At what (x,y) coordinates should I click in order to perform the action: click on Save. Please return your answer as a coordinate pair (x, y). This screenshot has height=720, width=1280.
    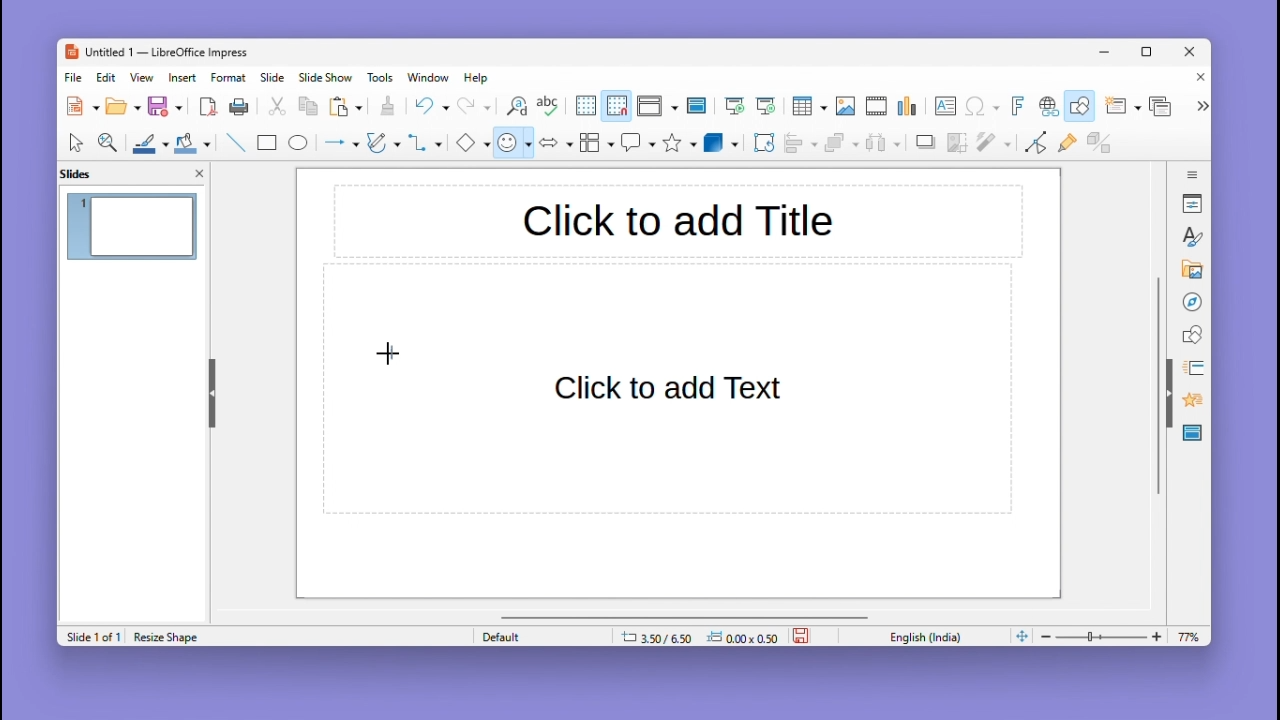
    Looking at the image, I should click on (166, 106).